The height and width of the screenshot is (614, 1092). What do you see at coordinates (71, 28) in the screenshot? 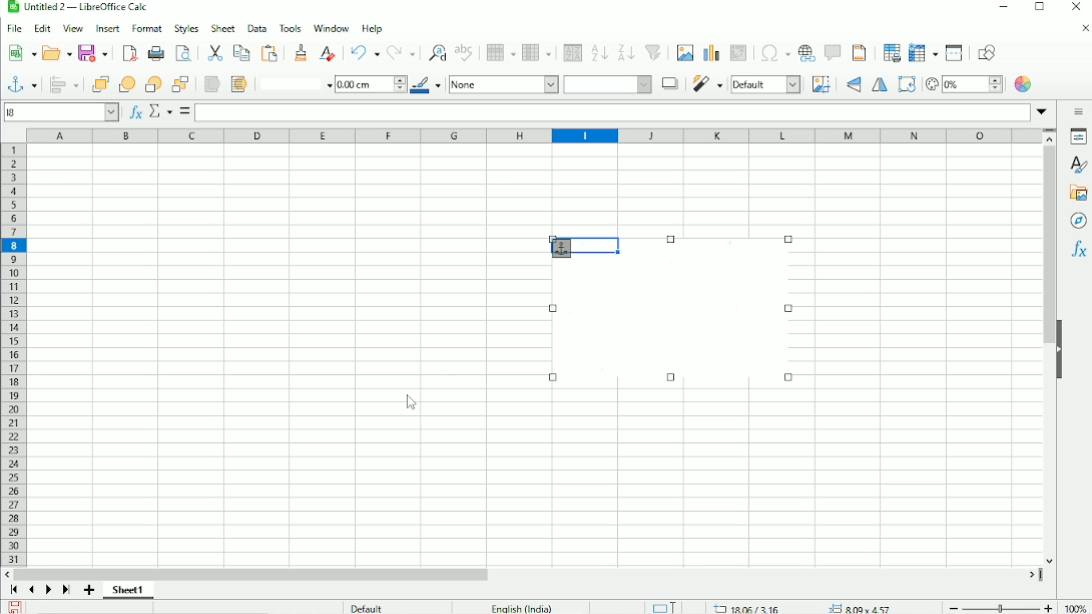
I see `View` at bounding box center [71, 28].